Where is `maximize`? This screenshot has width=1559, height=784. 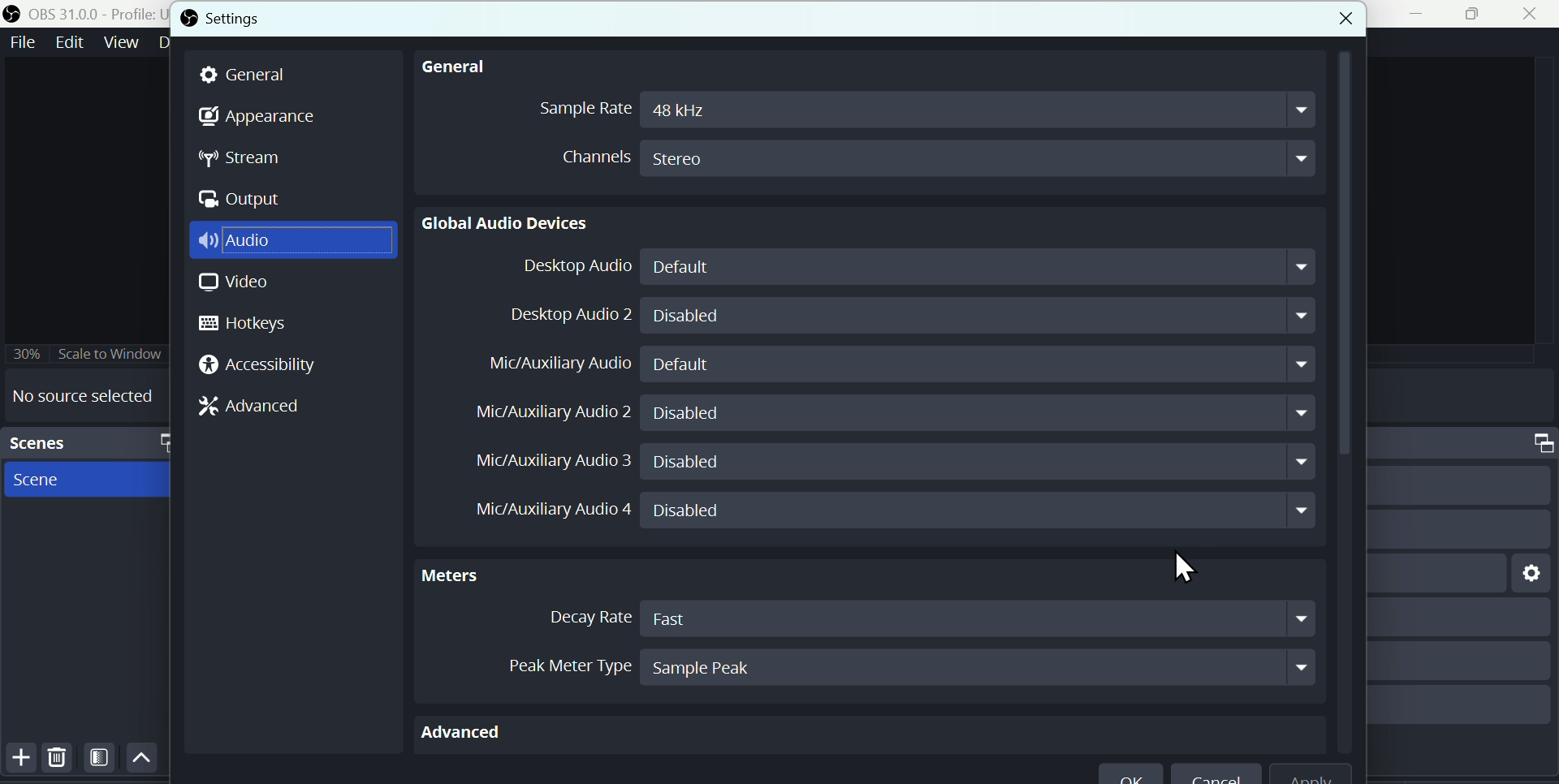
maximize is located at coordinates (1529, 443).